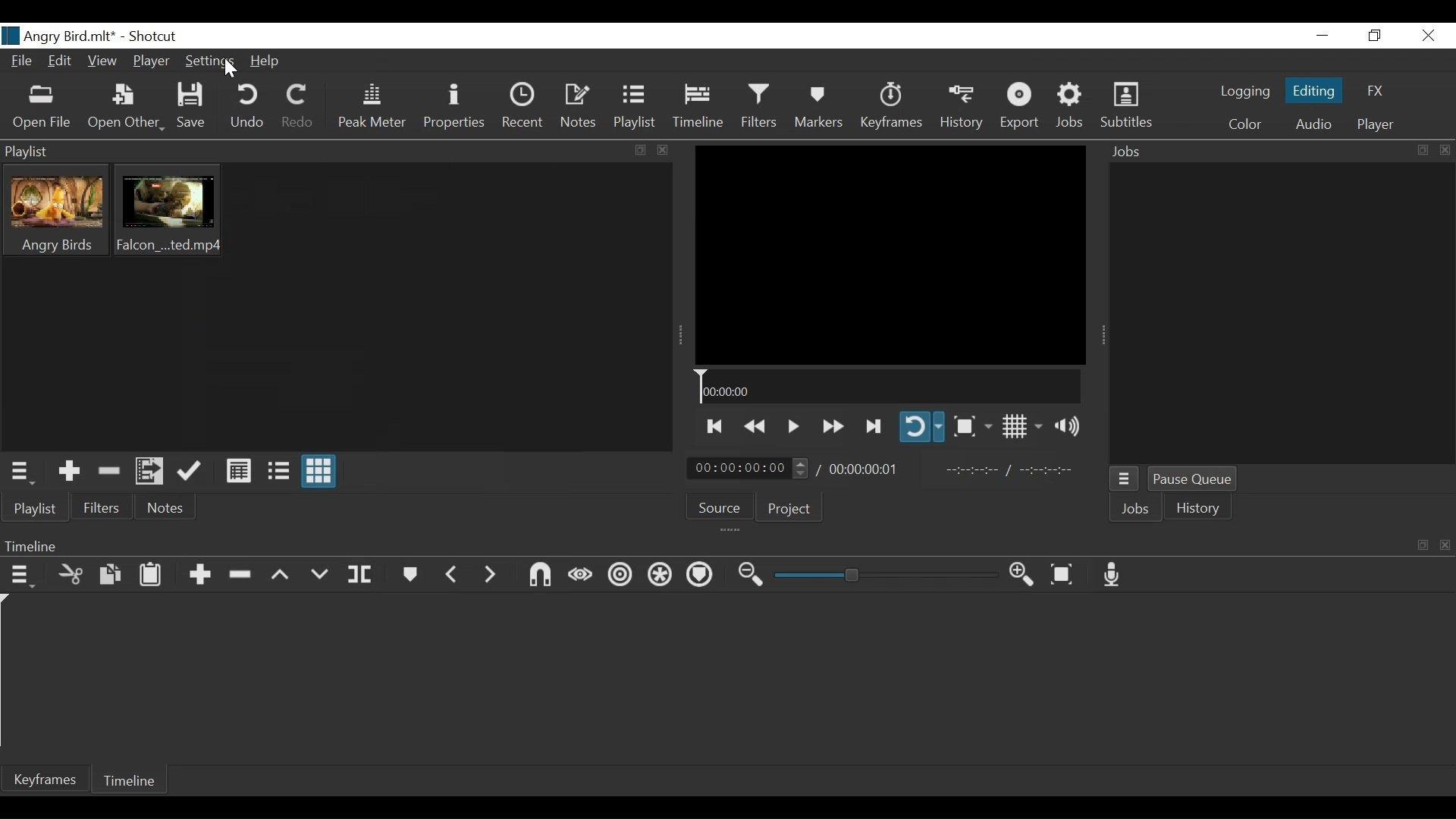 The height and width of the screenshot is (819, 1456). What do you see at coordinates (452, 578) in the screenshot?
I see `Previous marker` at bounding box center [452, 578].